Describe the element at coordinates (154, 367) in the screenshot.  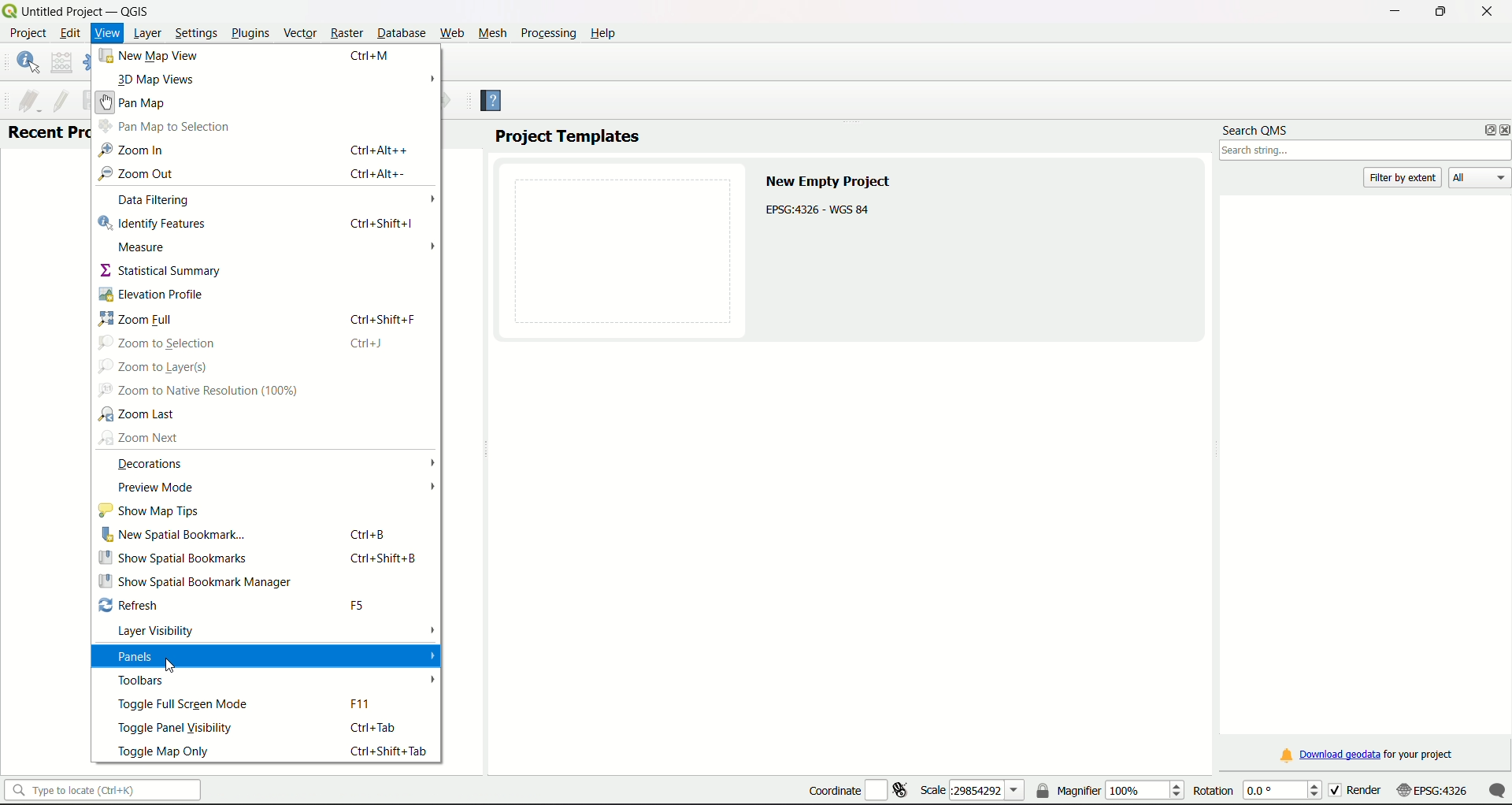
I see `zoom to layer` at that location.